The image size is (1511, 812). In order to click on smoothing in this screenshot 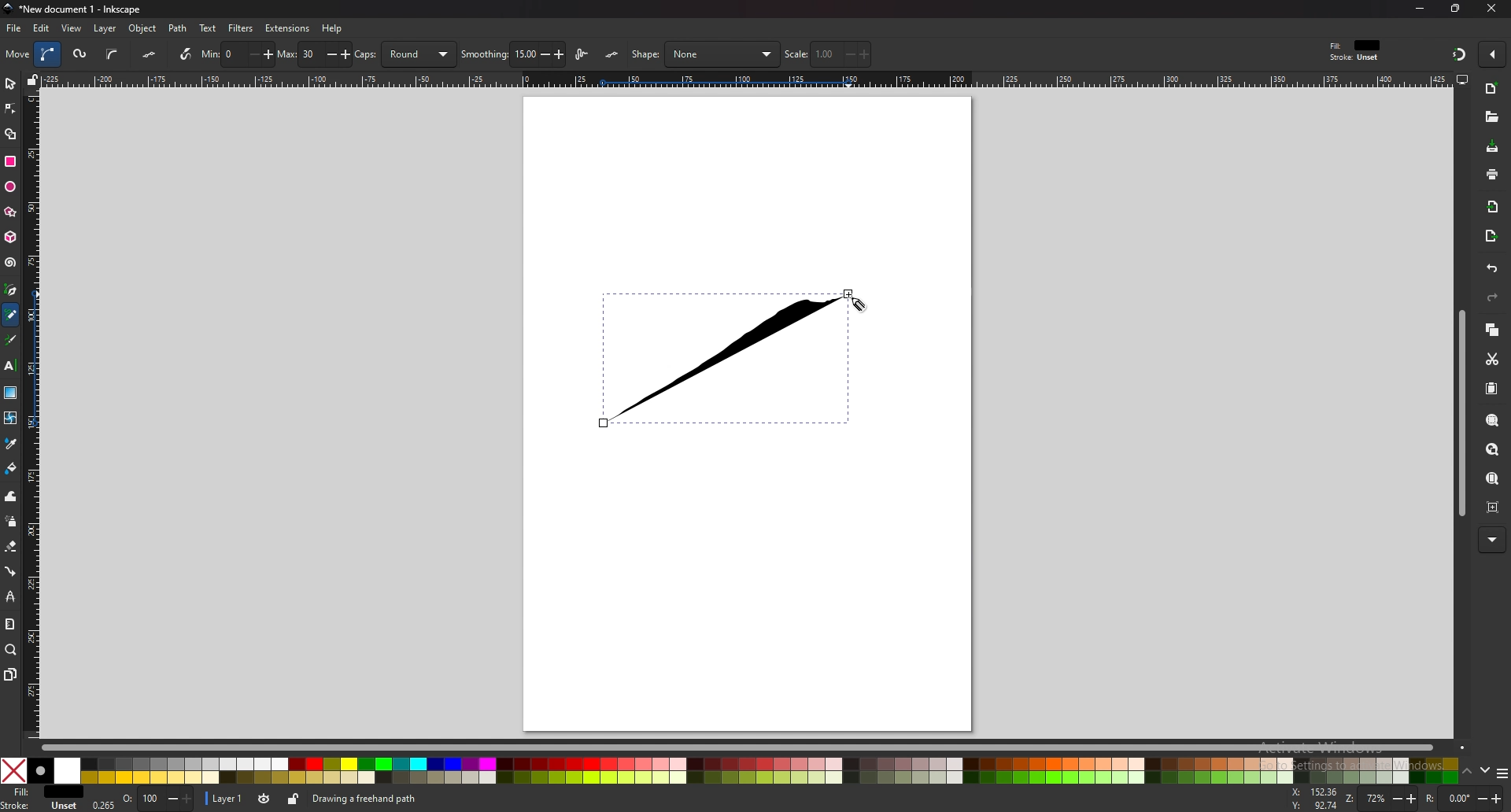, I will do `click(512, 53)`.